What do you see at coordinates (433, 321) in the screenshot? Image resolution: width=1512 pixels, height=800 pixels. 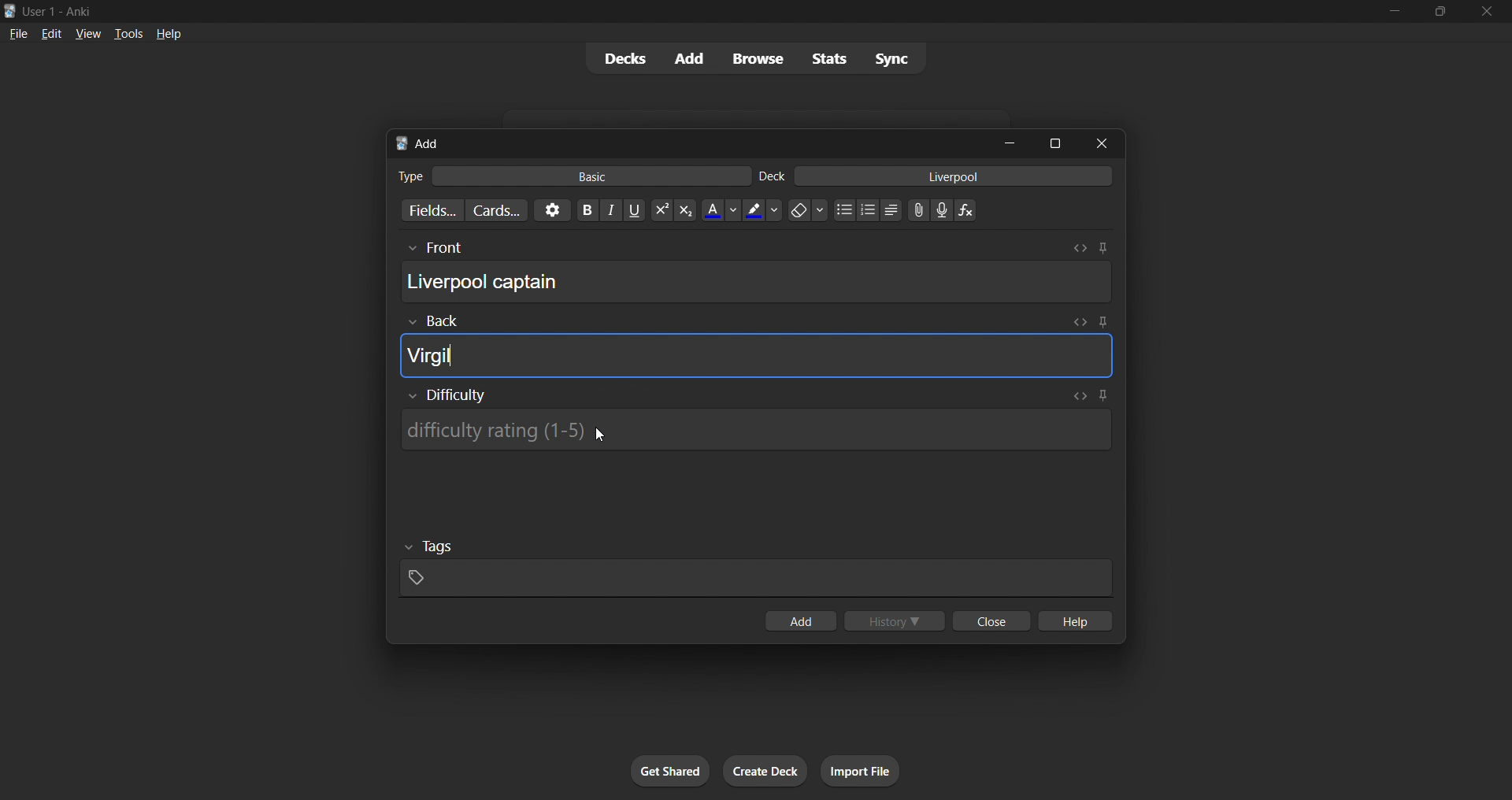 I see `` at bounding box center [433, 321].